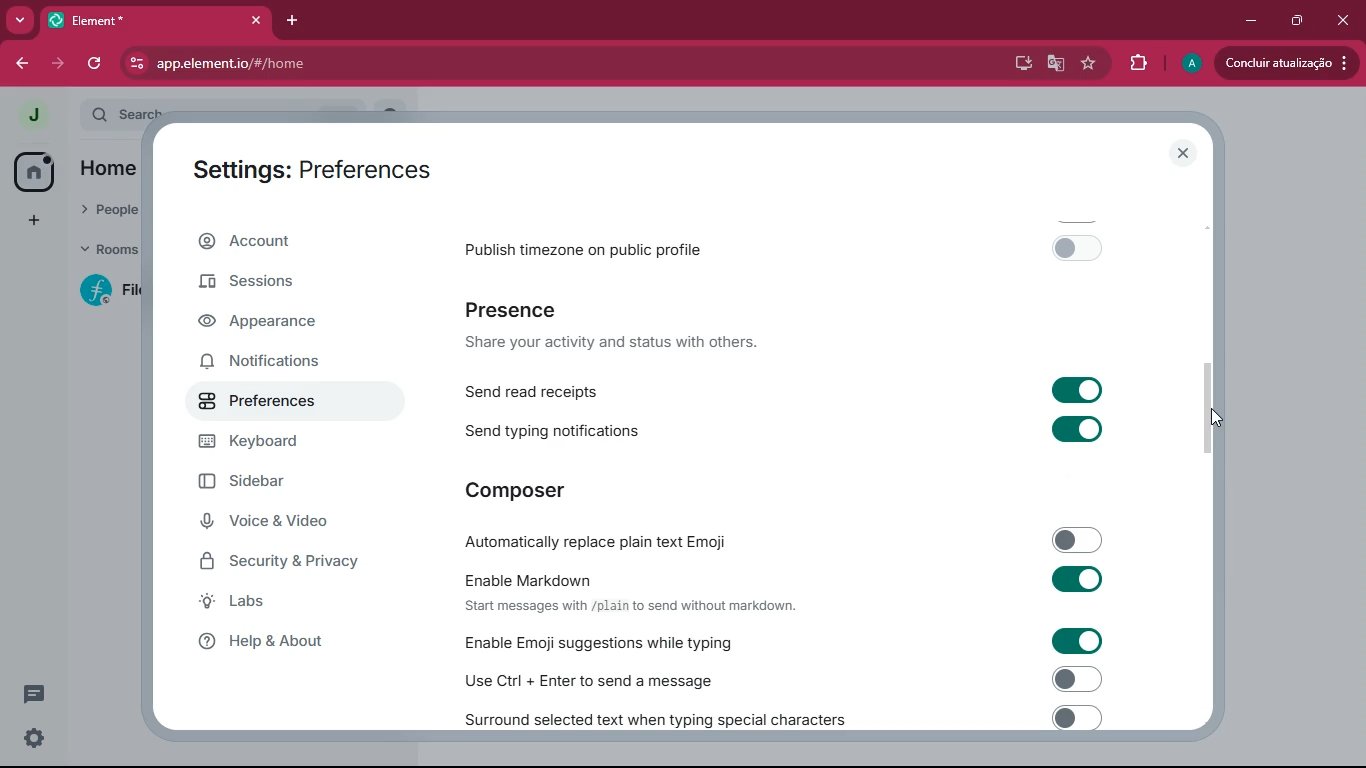 The image size is (1366, 768). I want to click on extensions, so click(1139, 64).